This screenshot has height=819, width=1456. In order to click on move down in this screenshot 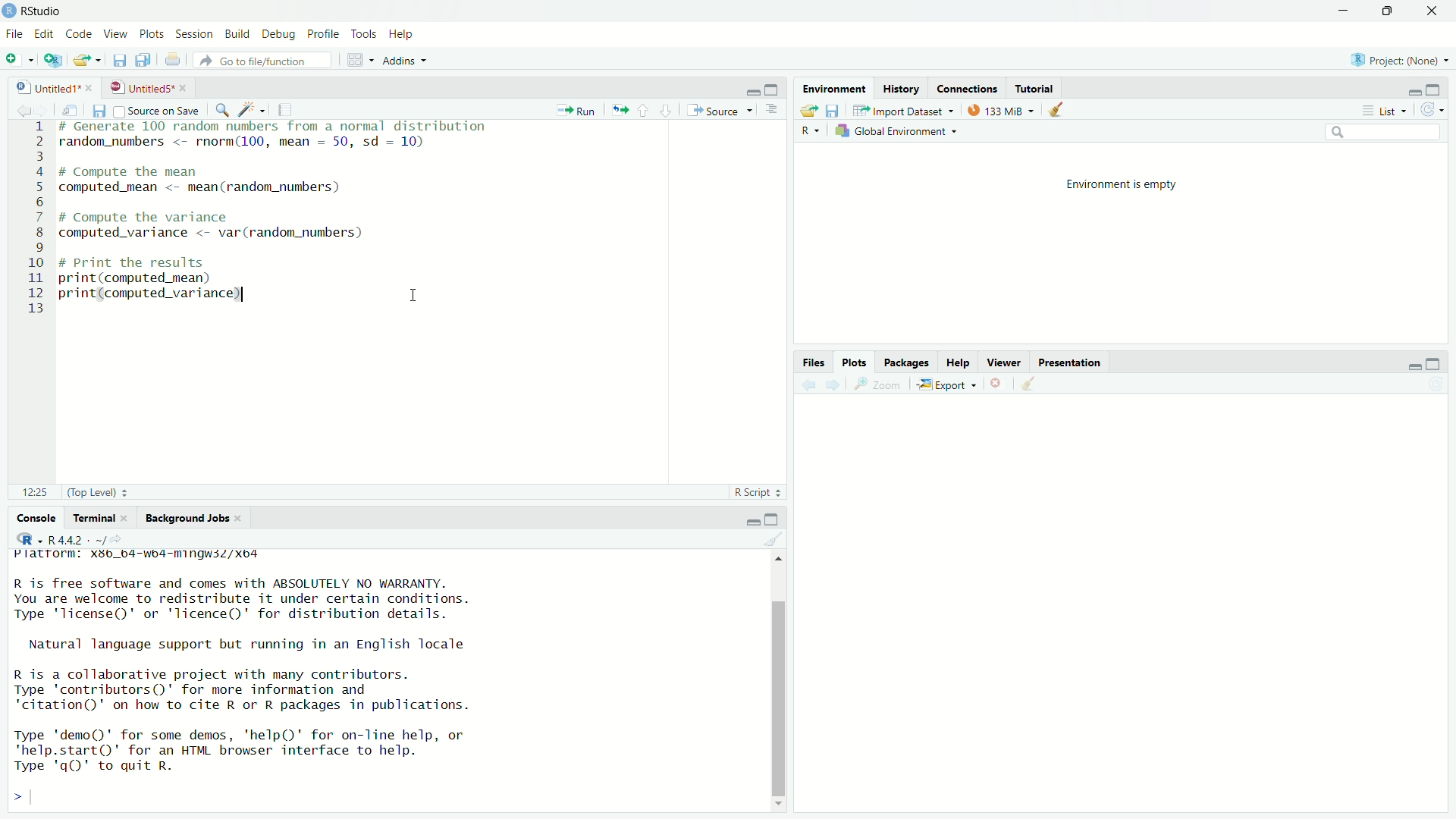, I will do `click(778, 800)`.